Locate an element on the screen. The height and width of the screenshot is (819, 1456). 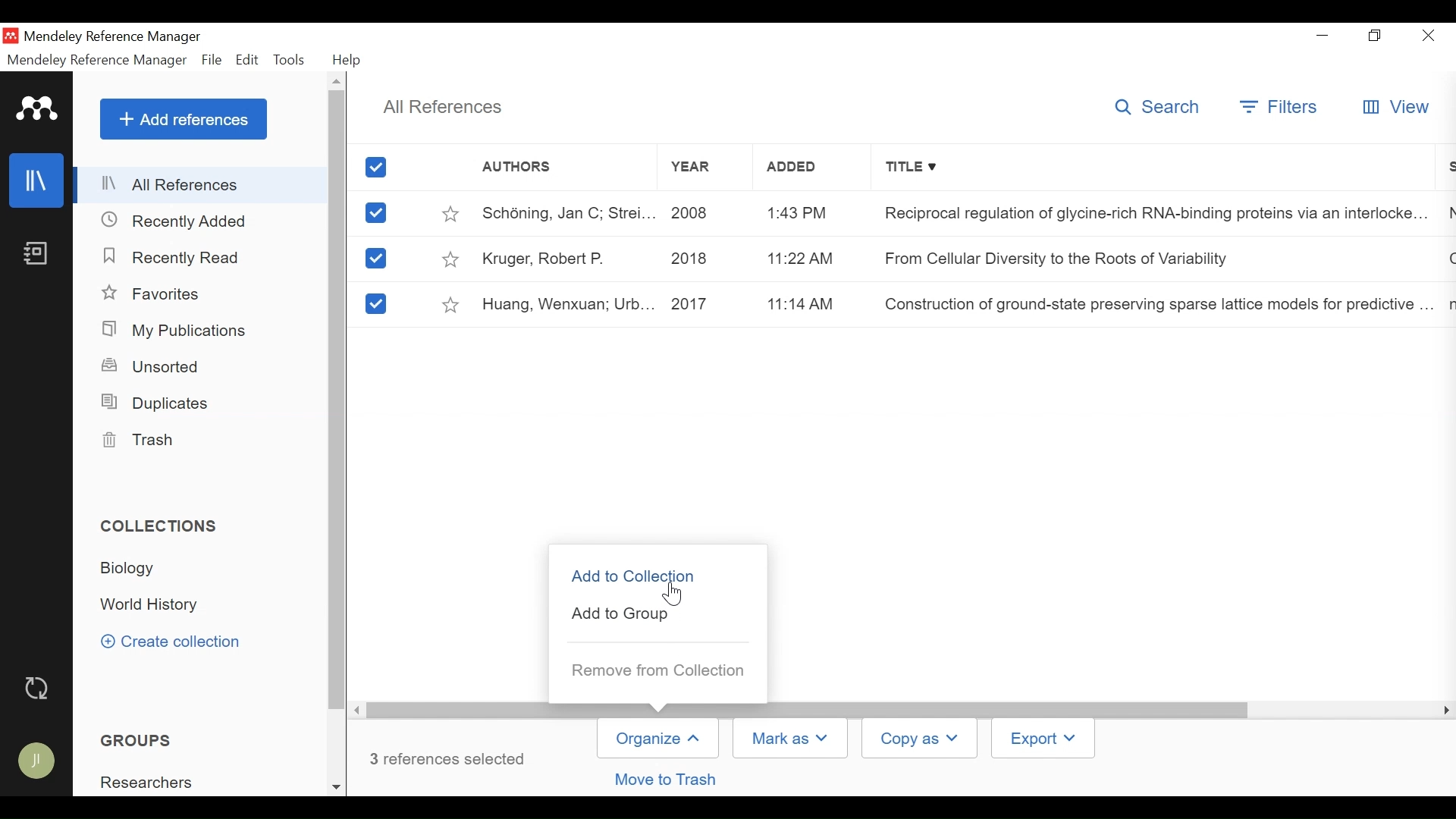
Trash is located at coordinates (139, 441).